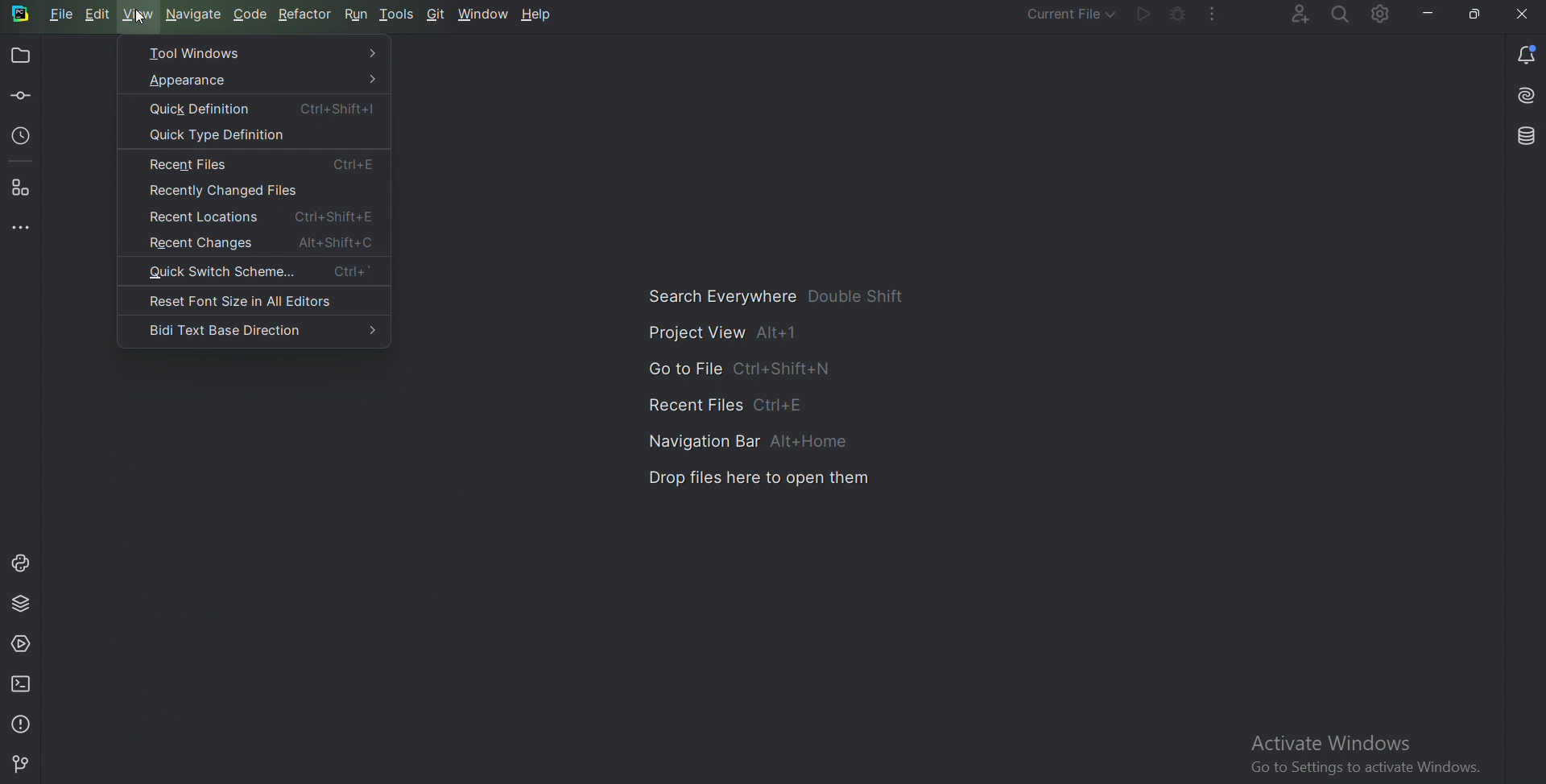 The image size is (1546, 784). What do you see at coordinates (714, 402) in the screenshot?
I see `Recent files` at bounding box center [714, 402].